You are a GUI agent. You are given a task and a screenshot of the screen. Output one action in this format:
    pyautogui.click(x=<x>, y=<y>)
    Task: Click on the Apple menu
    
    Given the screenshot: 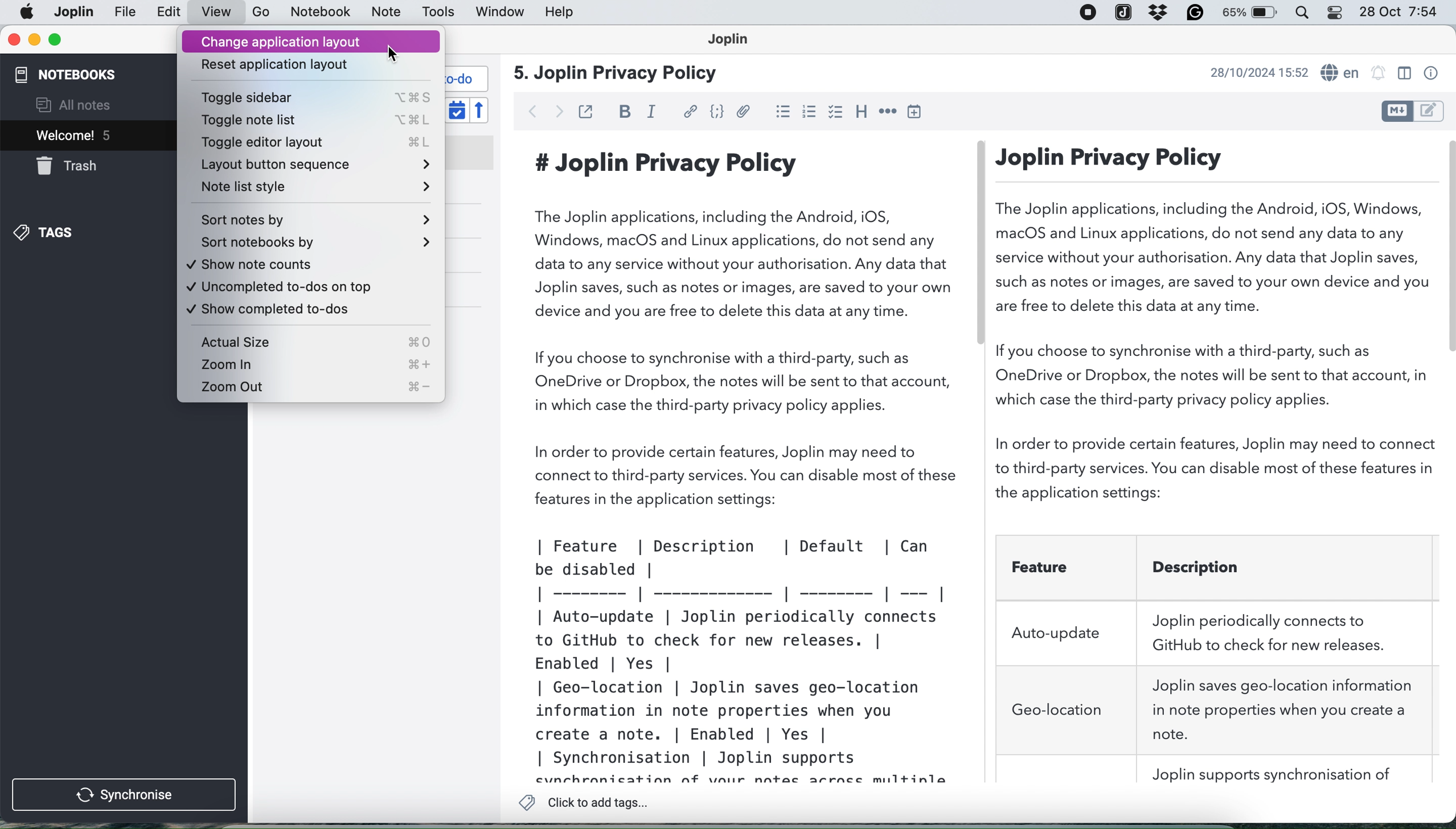 What is the action you would take?
    pyautogui.click(x=28, y=12)
    